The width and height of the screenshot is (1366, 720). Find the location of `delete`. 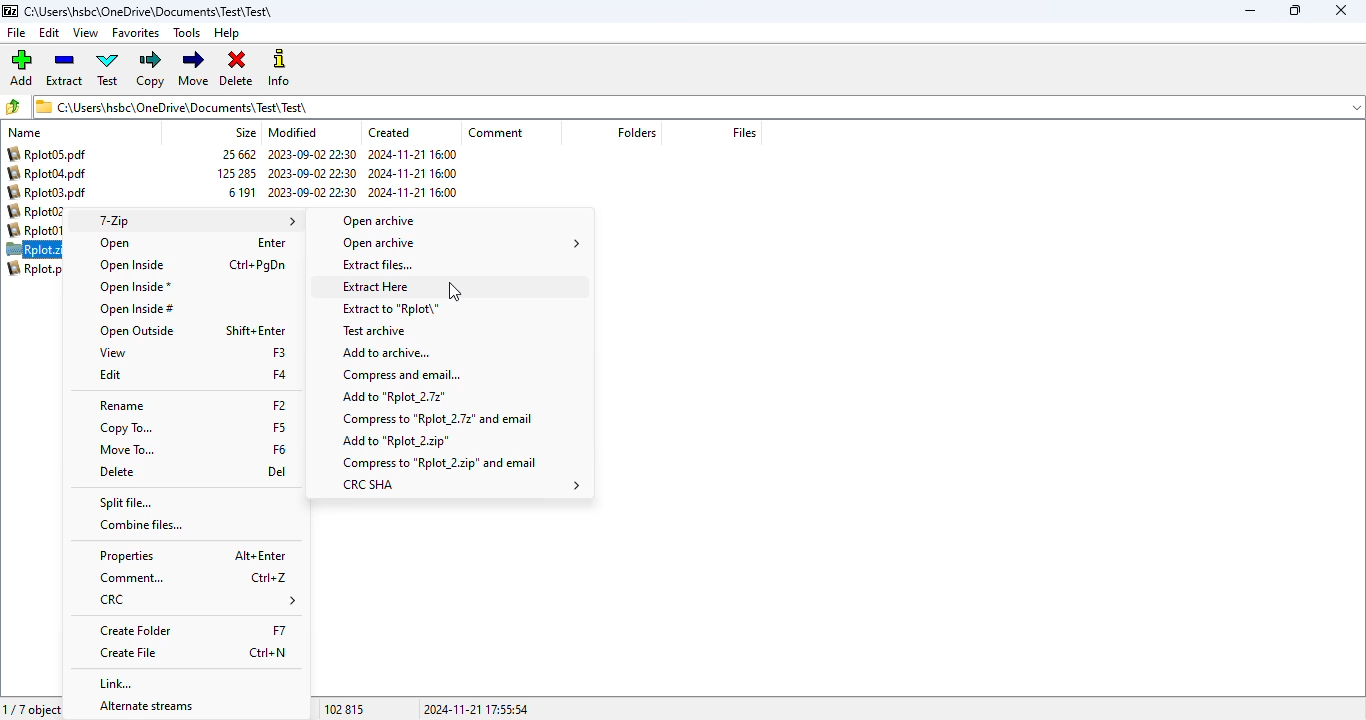

delete is located at coordinates (236, 69).